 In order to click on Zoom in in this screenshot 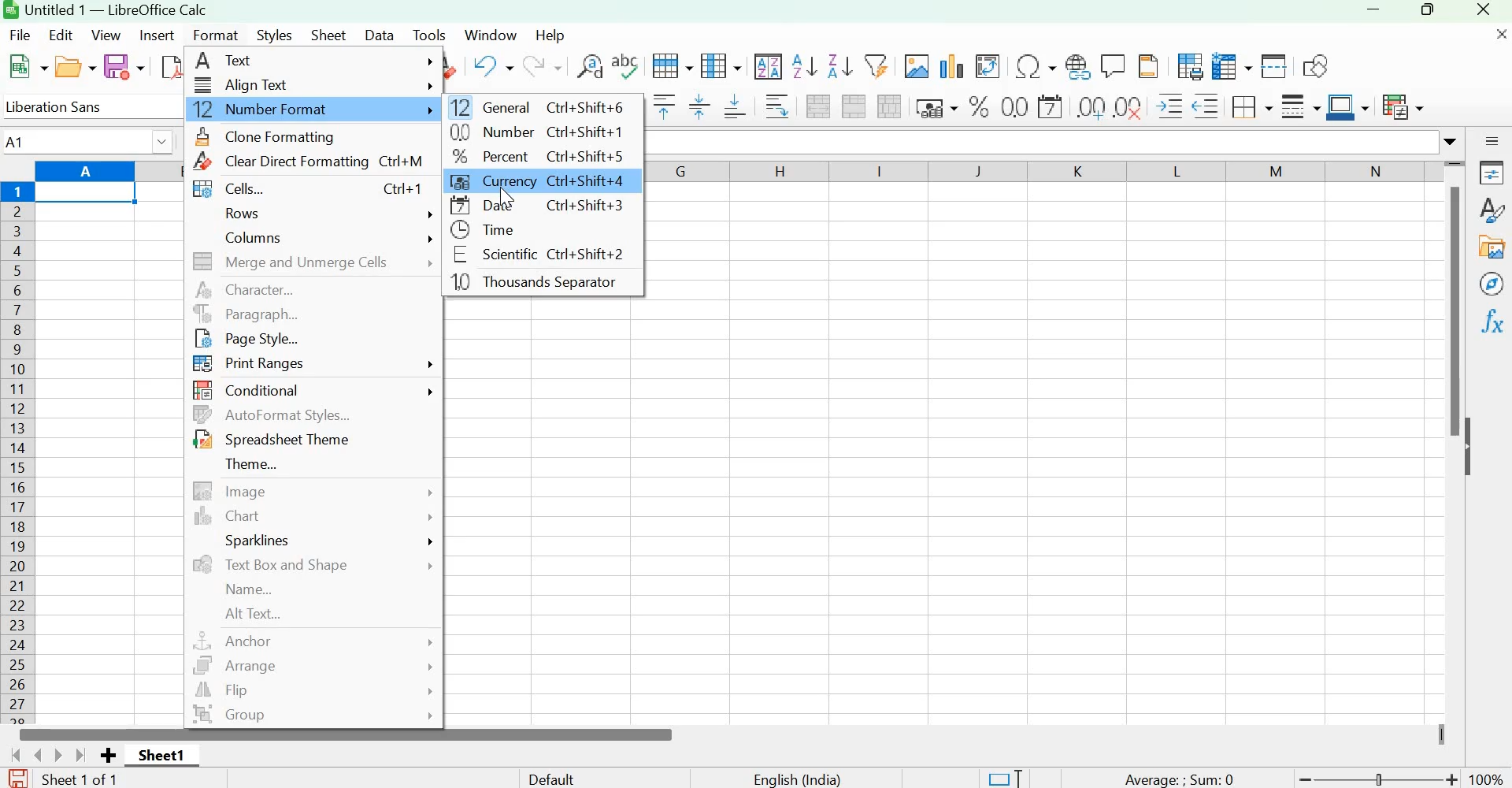, I will do `click(1454, 779)`.